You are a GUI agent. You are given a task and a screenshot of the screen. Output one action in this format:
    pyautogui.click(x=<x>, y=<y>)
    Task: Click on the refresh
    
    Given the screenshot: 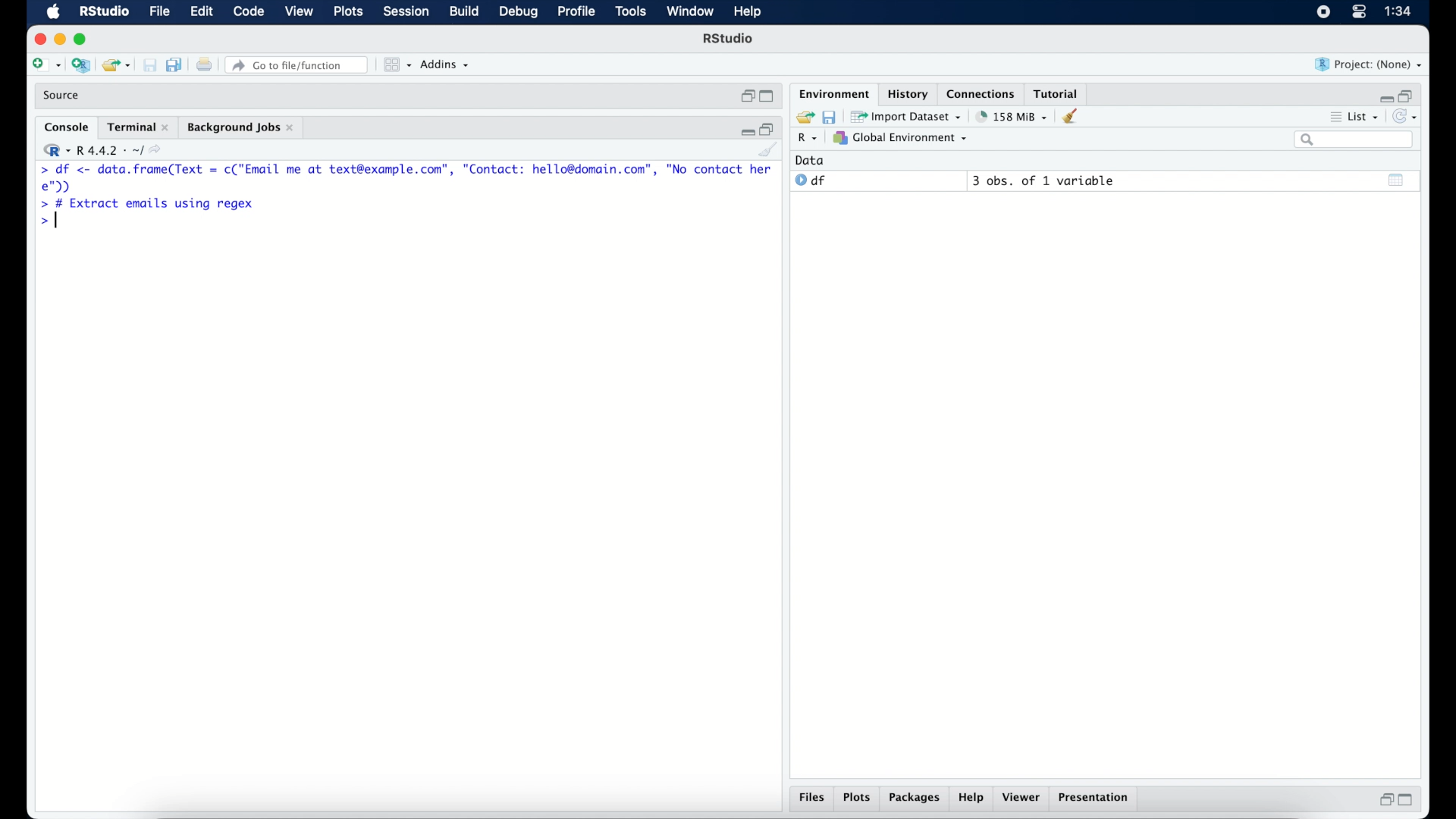 What is the action you would take?
    pyautogui.click(x=1409, y=117)
    